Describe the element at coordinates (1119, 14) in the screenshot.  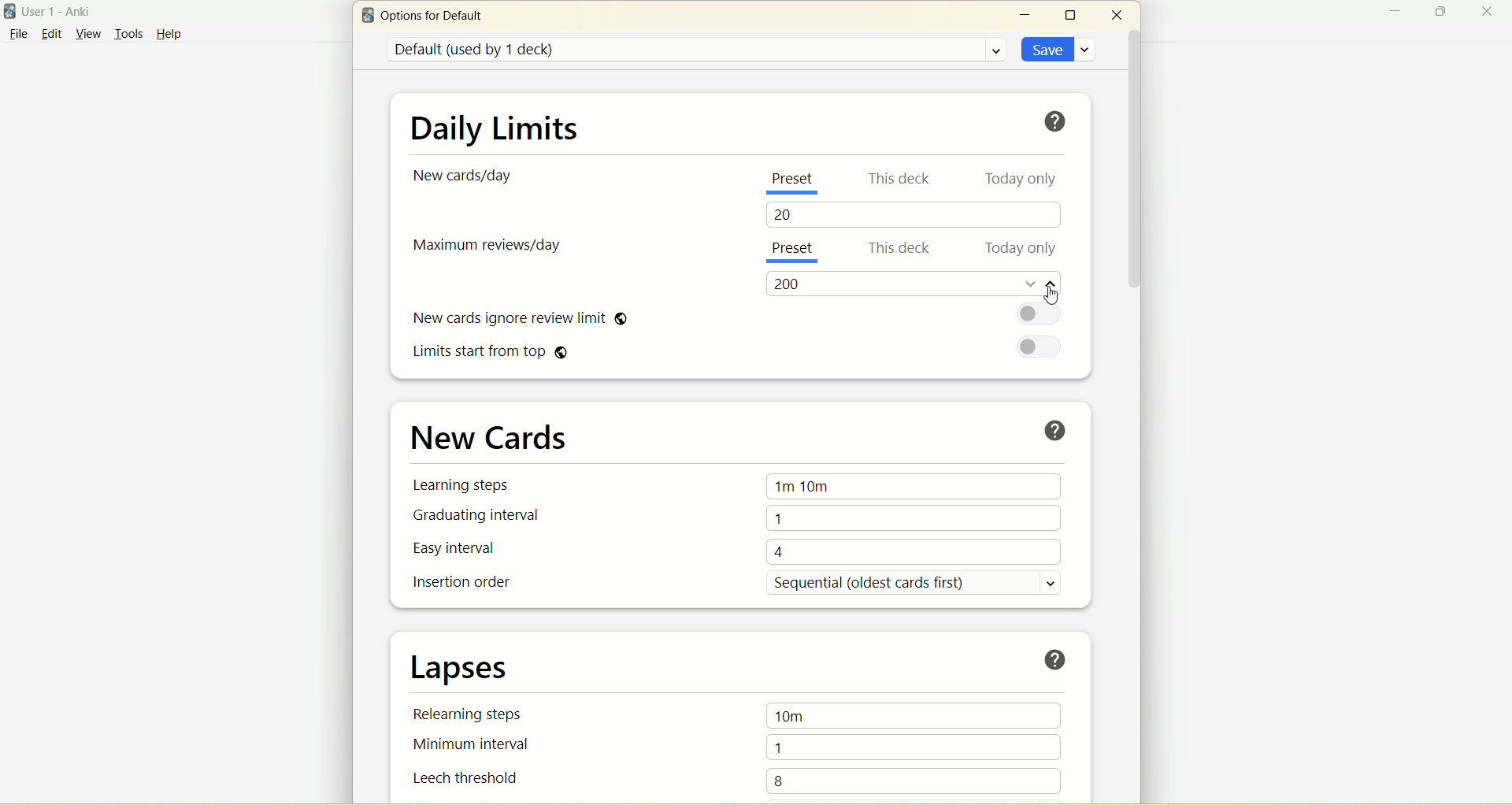
I see `close` at that location.